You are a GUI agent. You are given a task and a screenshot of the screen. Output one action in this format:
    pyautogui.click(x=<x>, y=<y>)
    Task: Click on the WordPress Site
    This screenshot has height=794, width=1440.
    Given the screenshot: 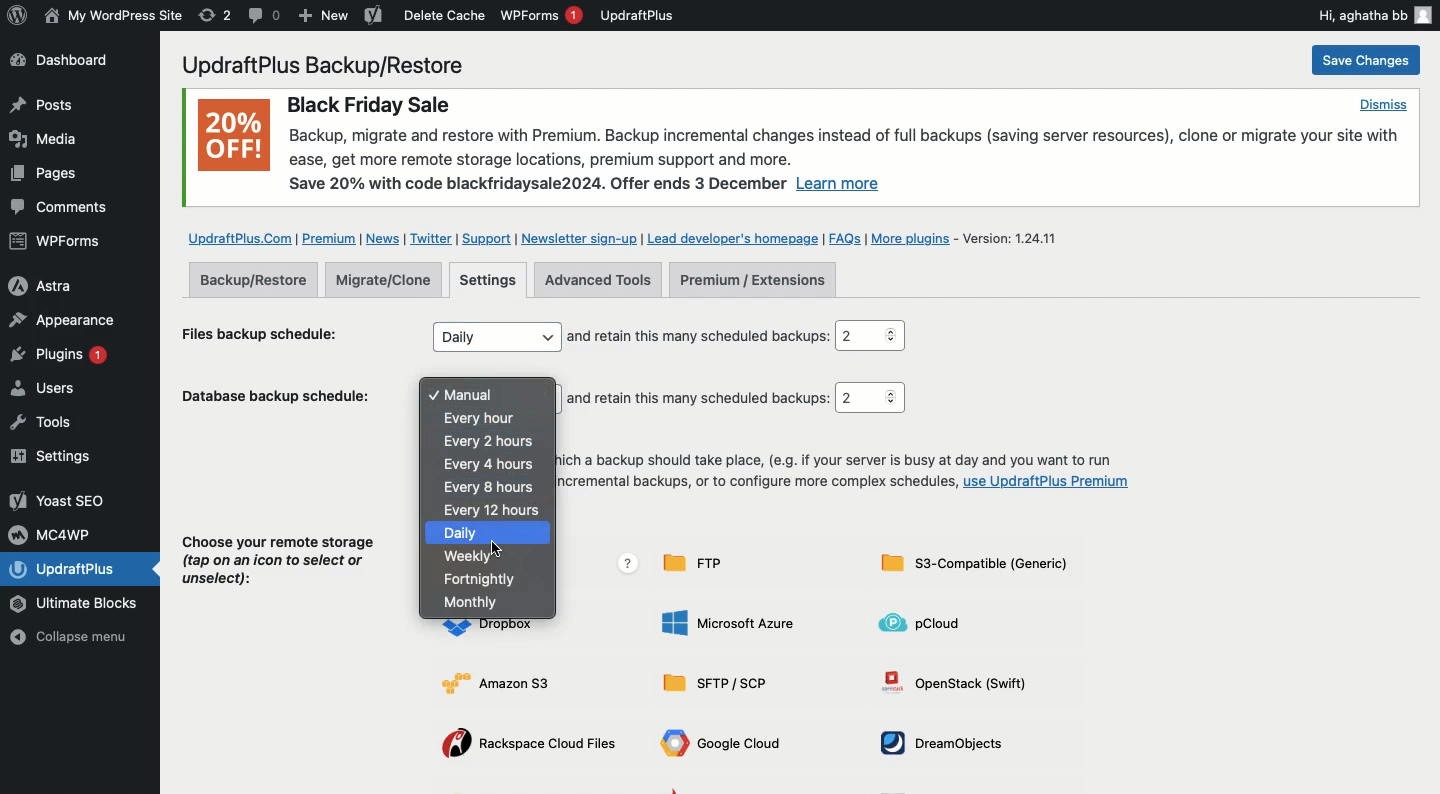 What is the action you would take?
    pyautogui.click(x=111, y=16)
    